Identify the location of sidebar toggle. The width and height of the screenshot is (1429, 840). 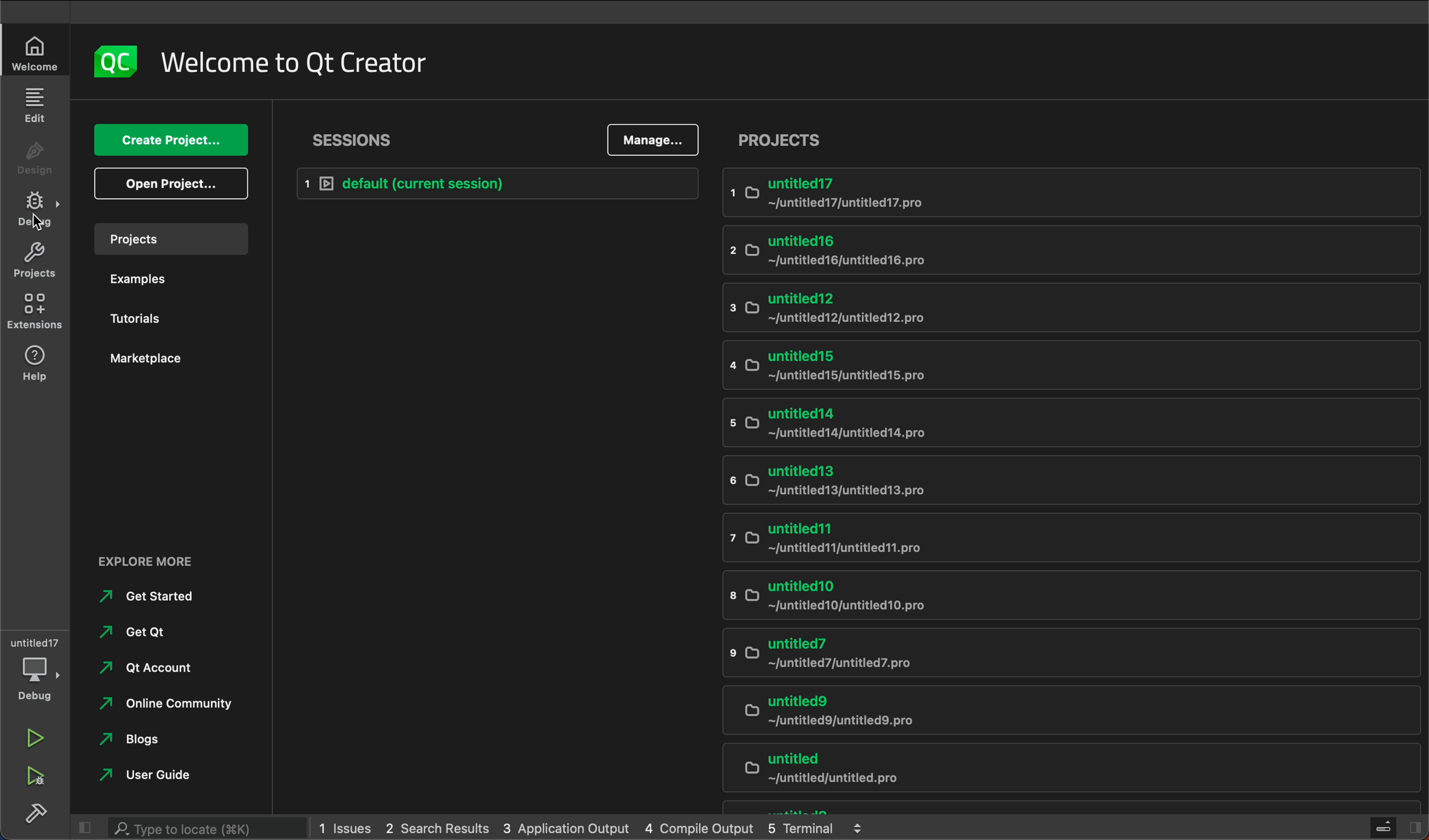
(1398, 828).